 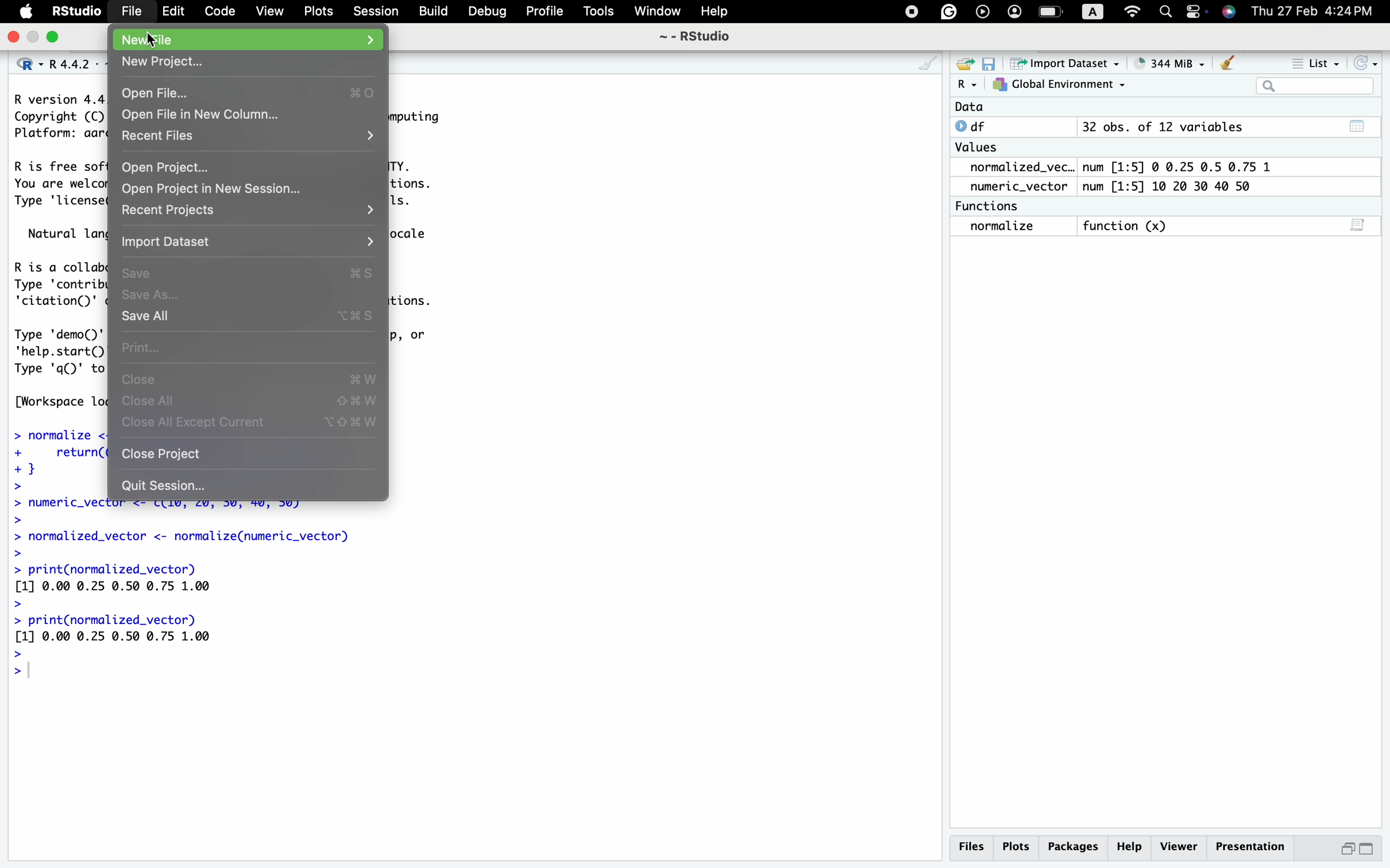 I want to click on Plots, so click(x=1018, y=849).